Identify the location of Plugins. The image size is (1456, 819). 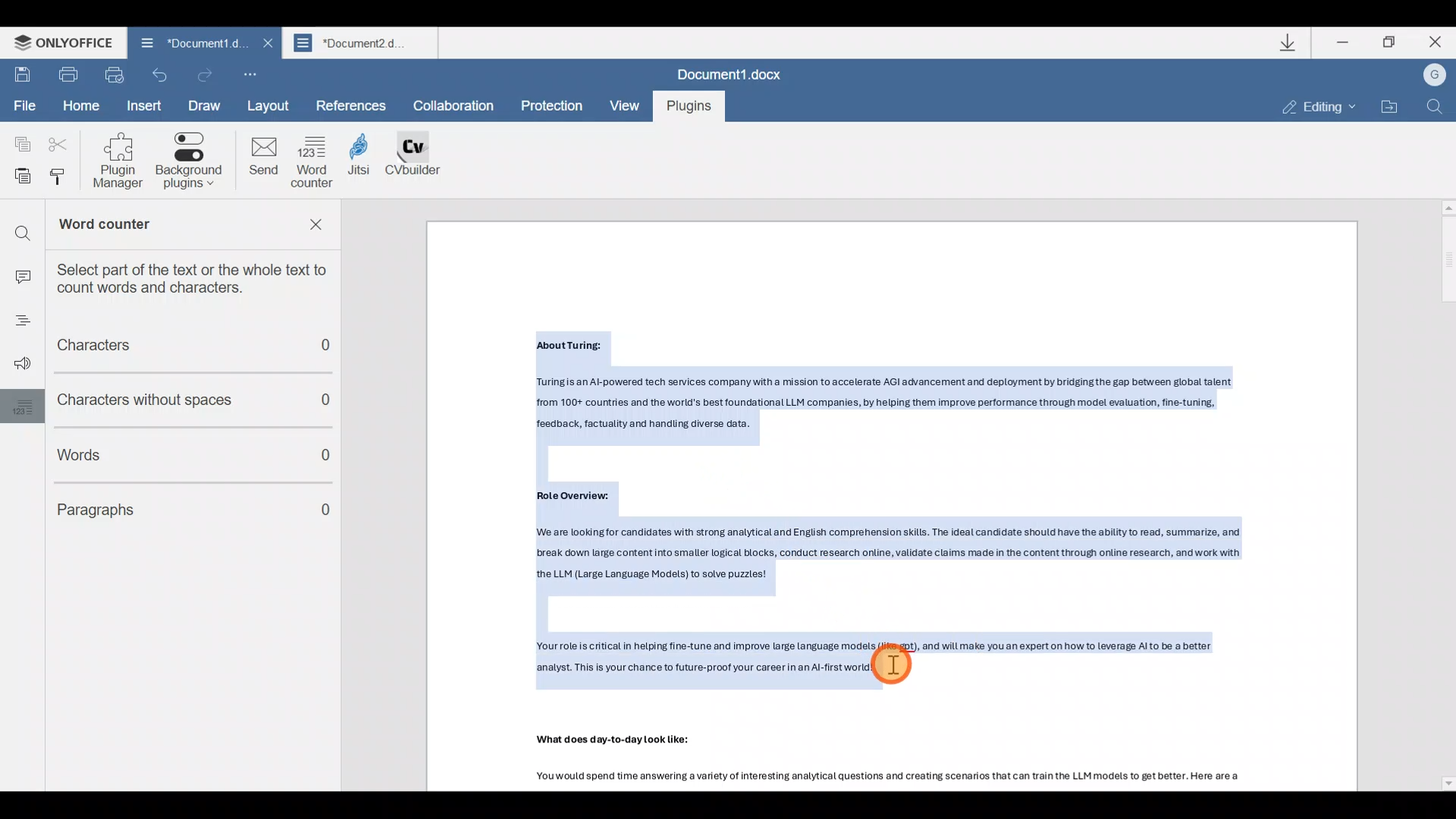
(687, 107).